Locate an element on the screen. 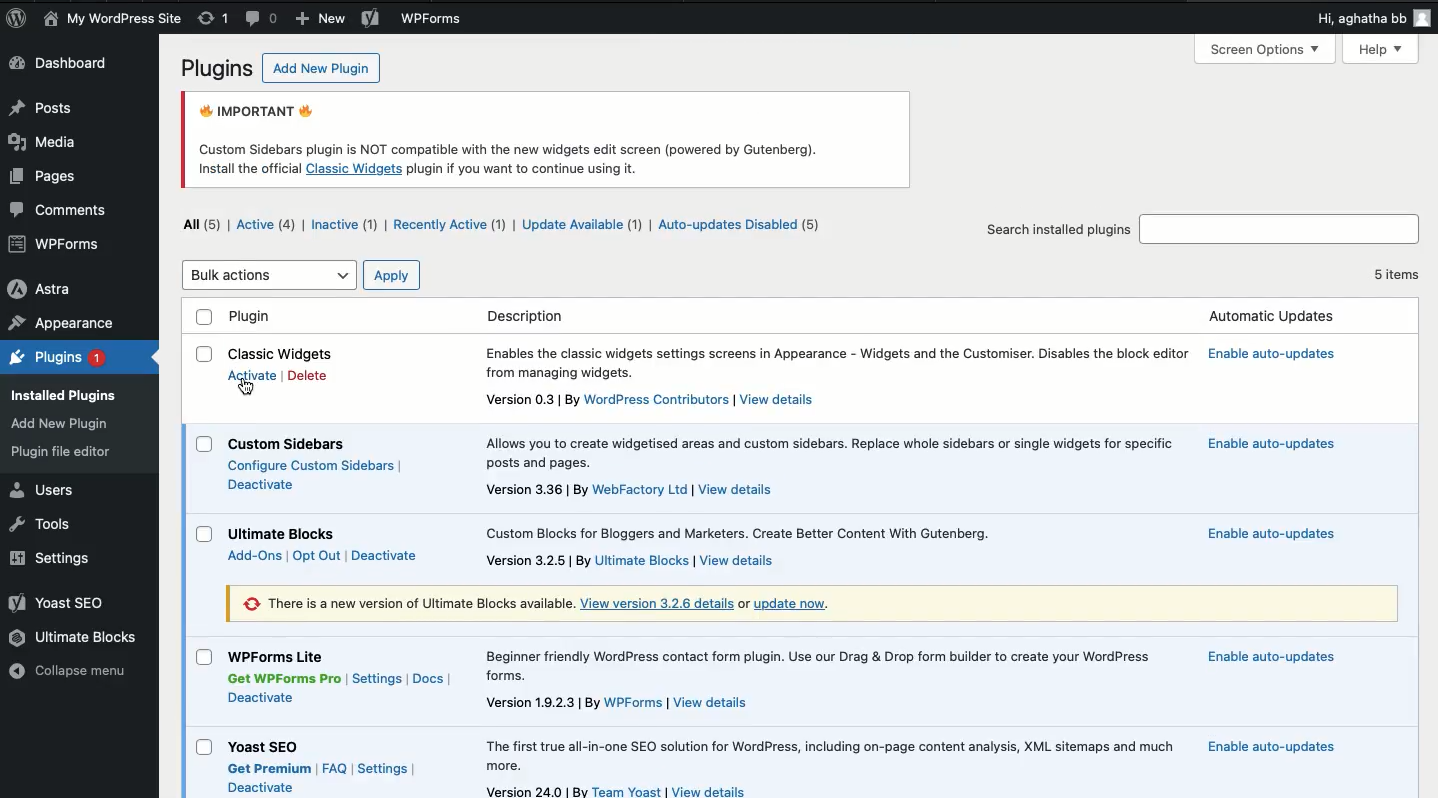  Automatic updates is located at coordinates (1268, 746).